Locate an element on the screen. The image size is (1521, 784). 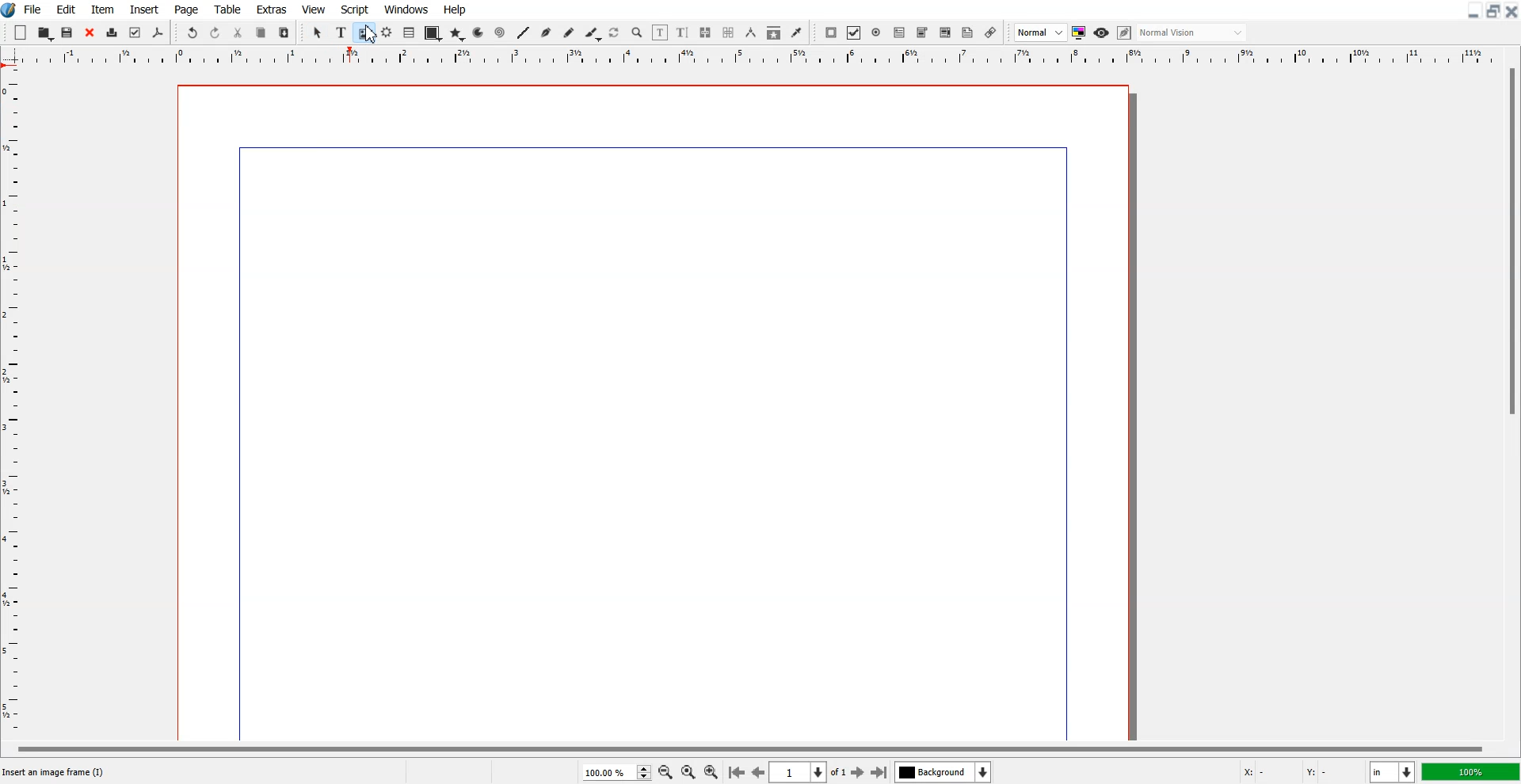
Add is located at coordinates (21, 32).